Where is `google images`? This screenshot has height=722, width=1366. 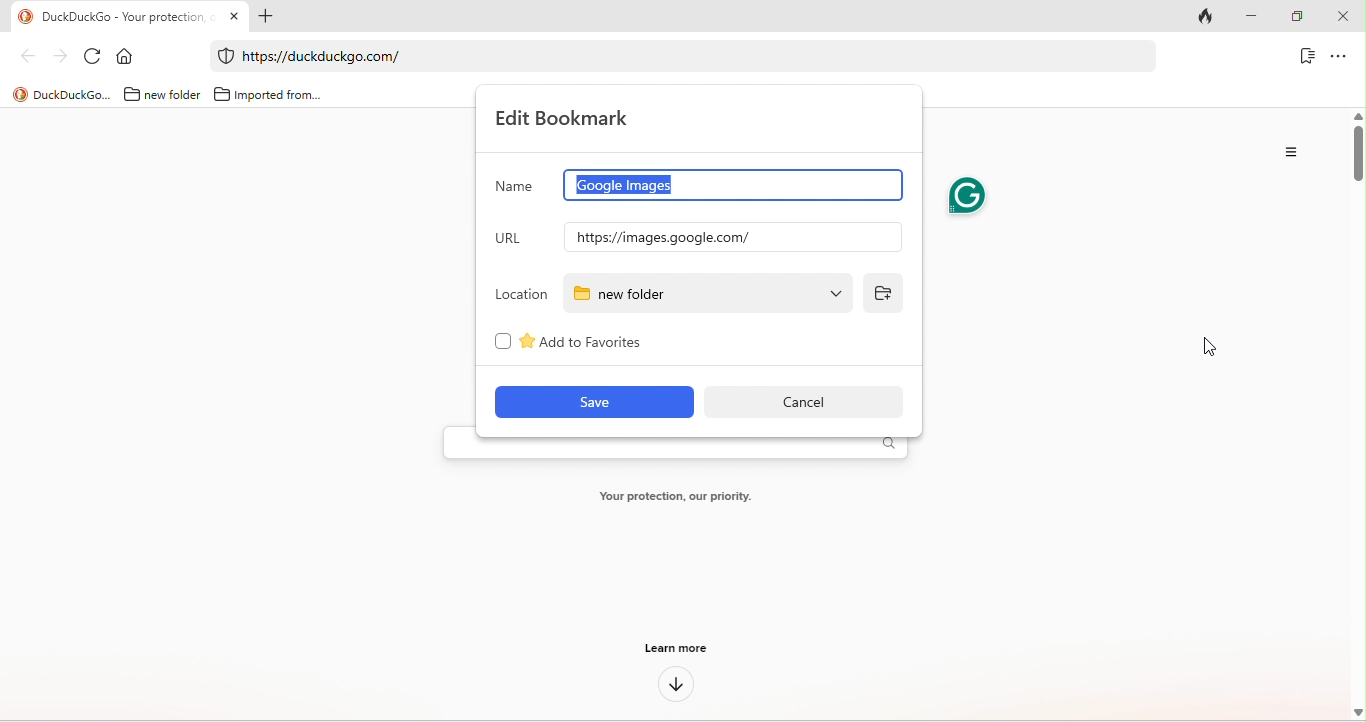
google images is located at coordinates (734, 186).